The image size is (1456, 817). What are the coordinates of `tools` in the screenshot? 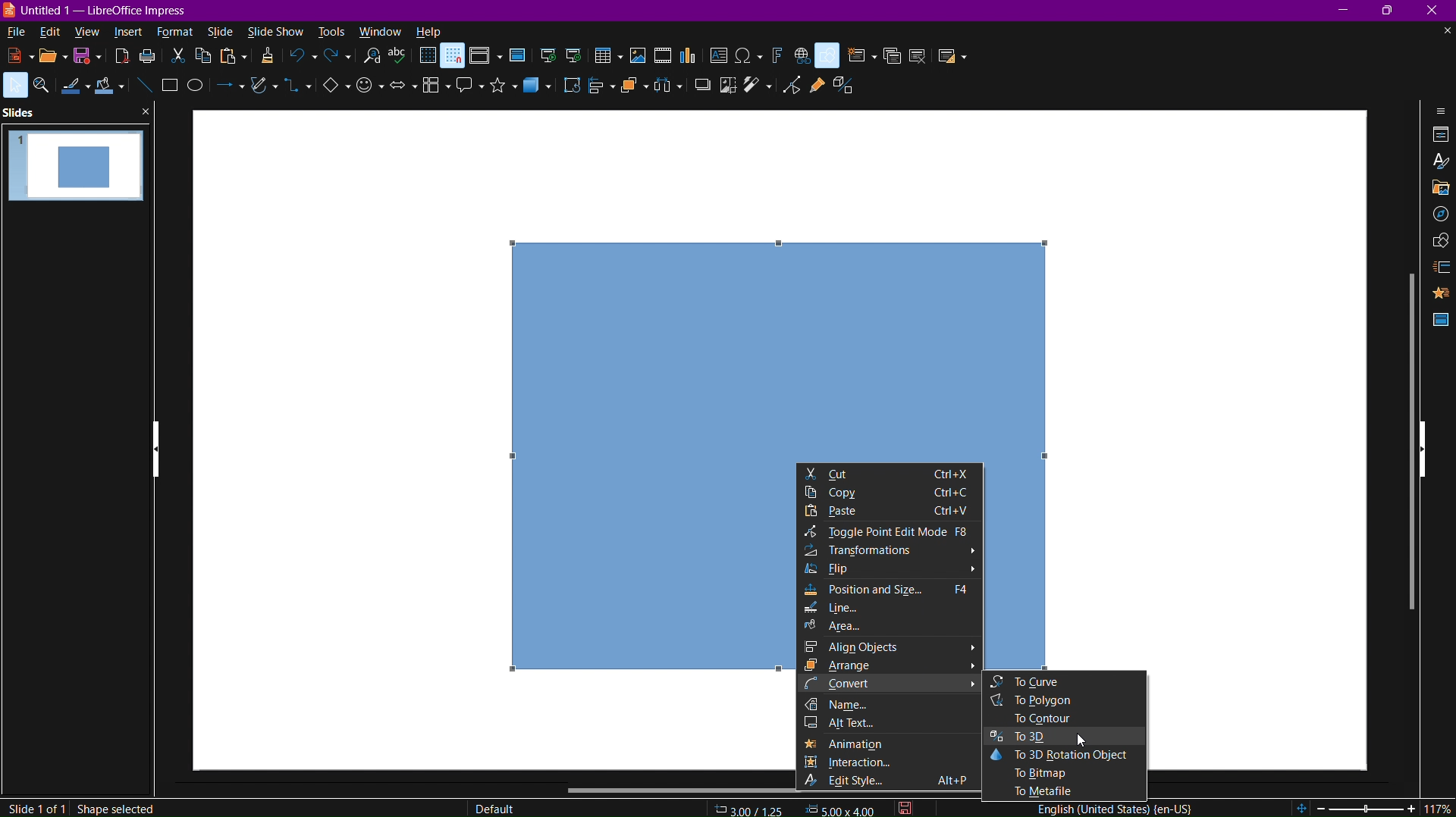 It's located at (329, 31).